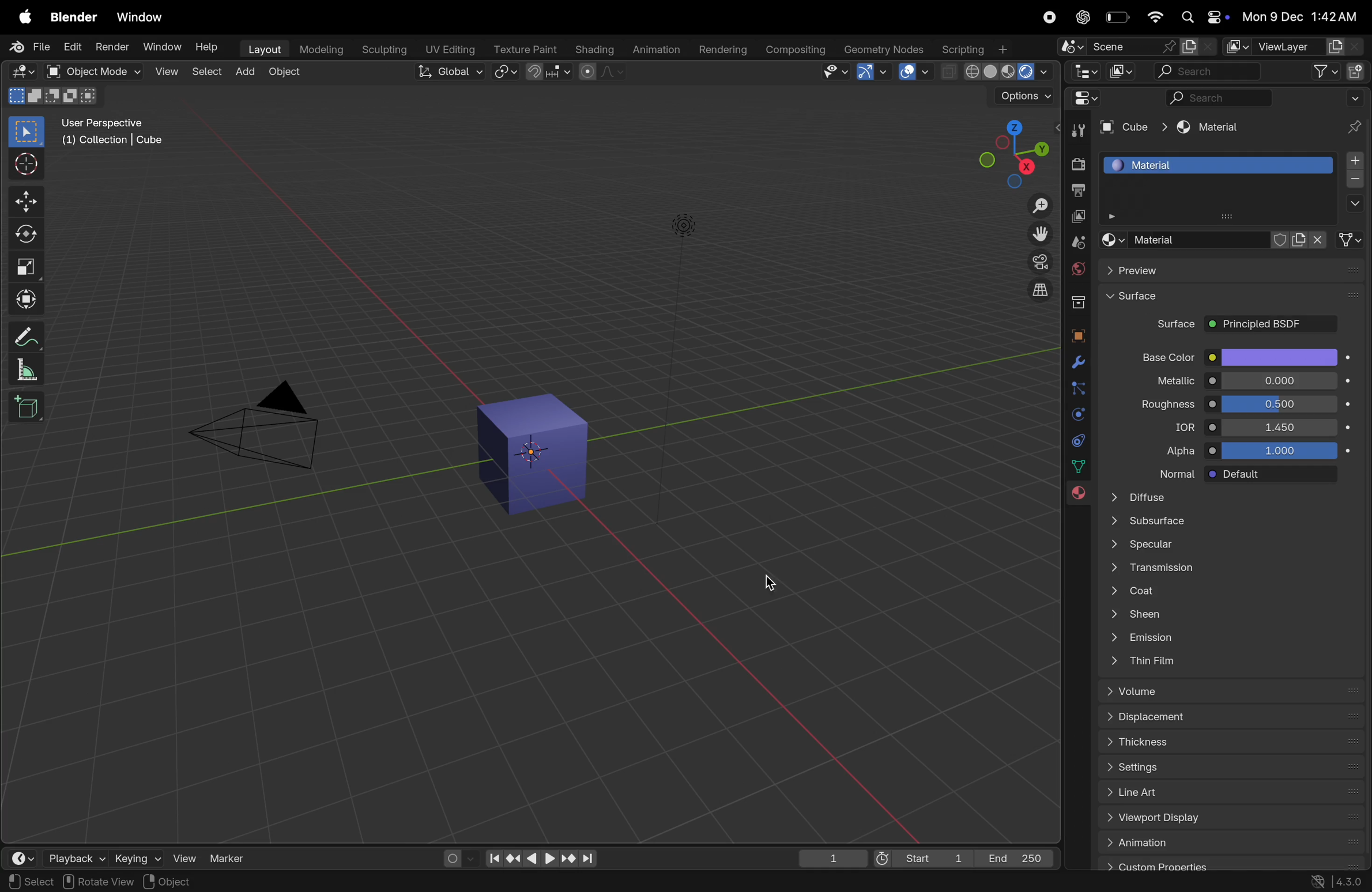  What do you see at coordinates (1280, 426) in the screenshot?
I see `1.450` at bounding box center [1280, 426].